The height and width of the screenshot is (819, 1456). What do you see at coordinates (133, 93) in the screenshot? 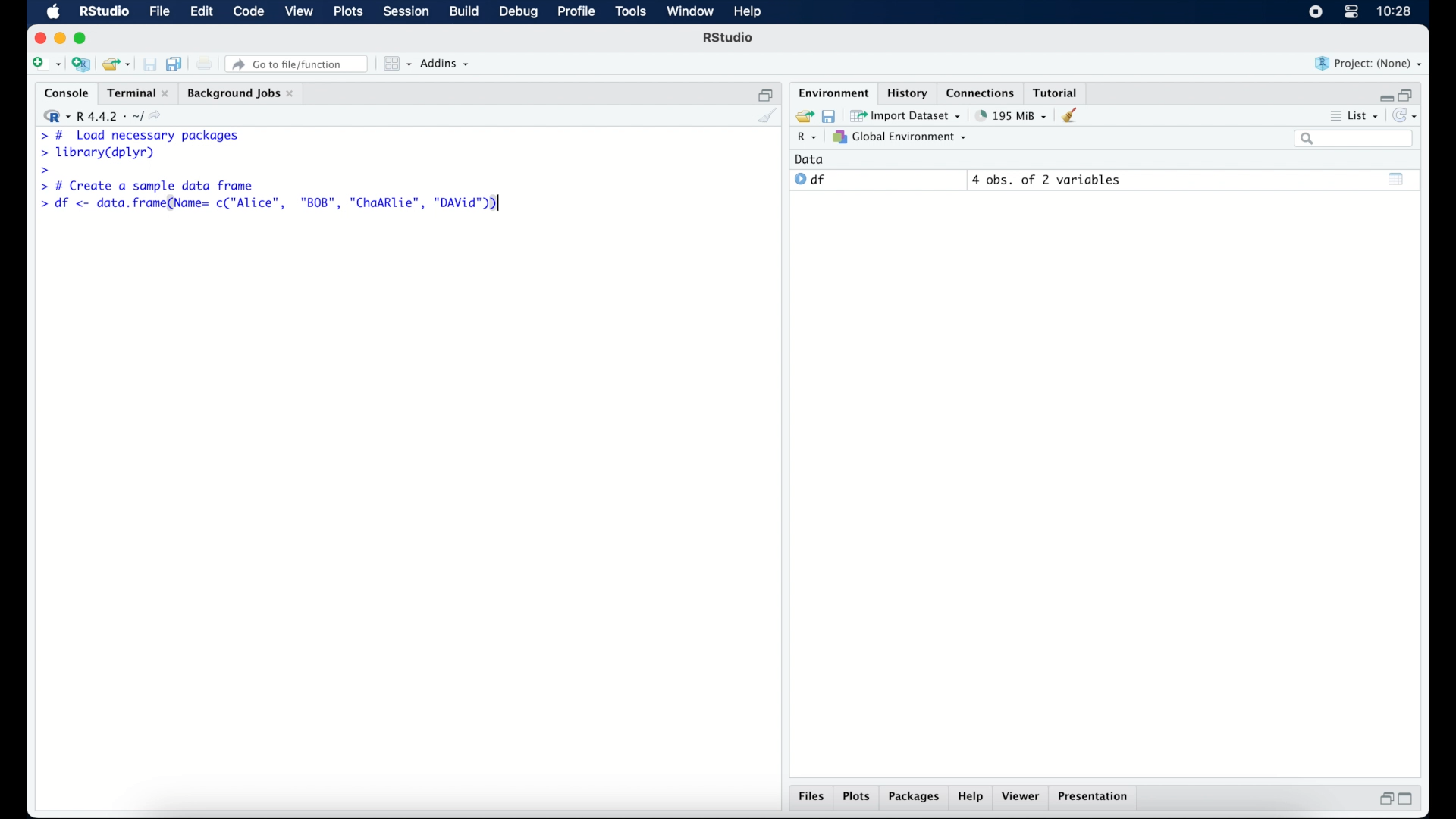
I see `Terminal` at bounding box center [133, 93].